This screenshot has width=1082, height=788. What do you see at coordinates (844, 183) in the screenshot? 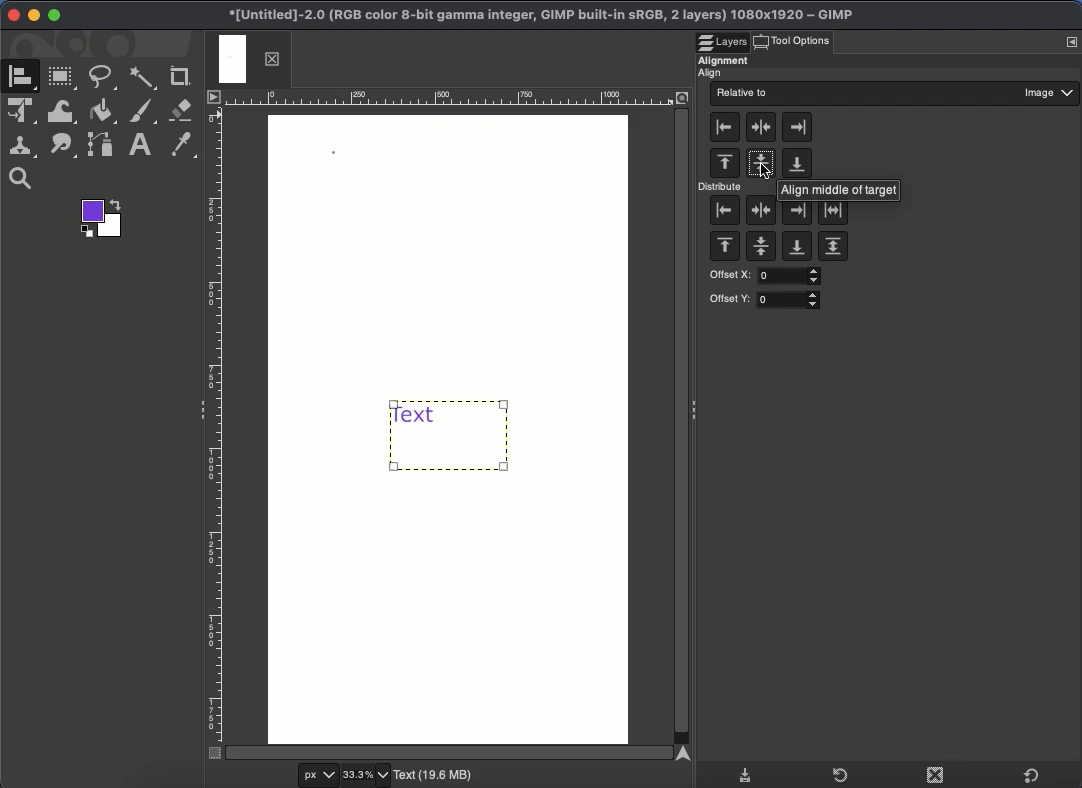
I see `Align middle of target` at bounding box center [844, 183].